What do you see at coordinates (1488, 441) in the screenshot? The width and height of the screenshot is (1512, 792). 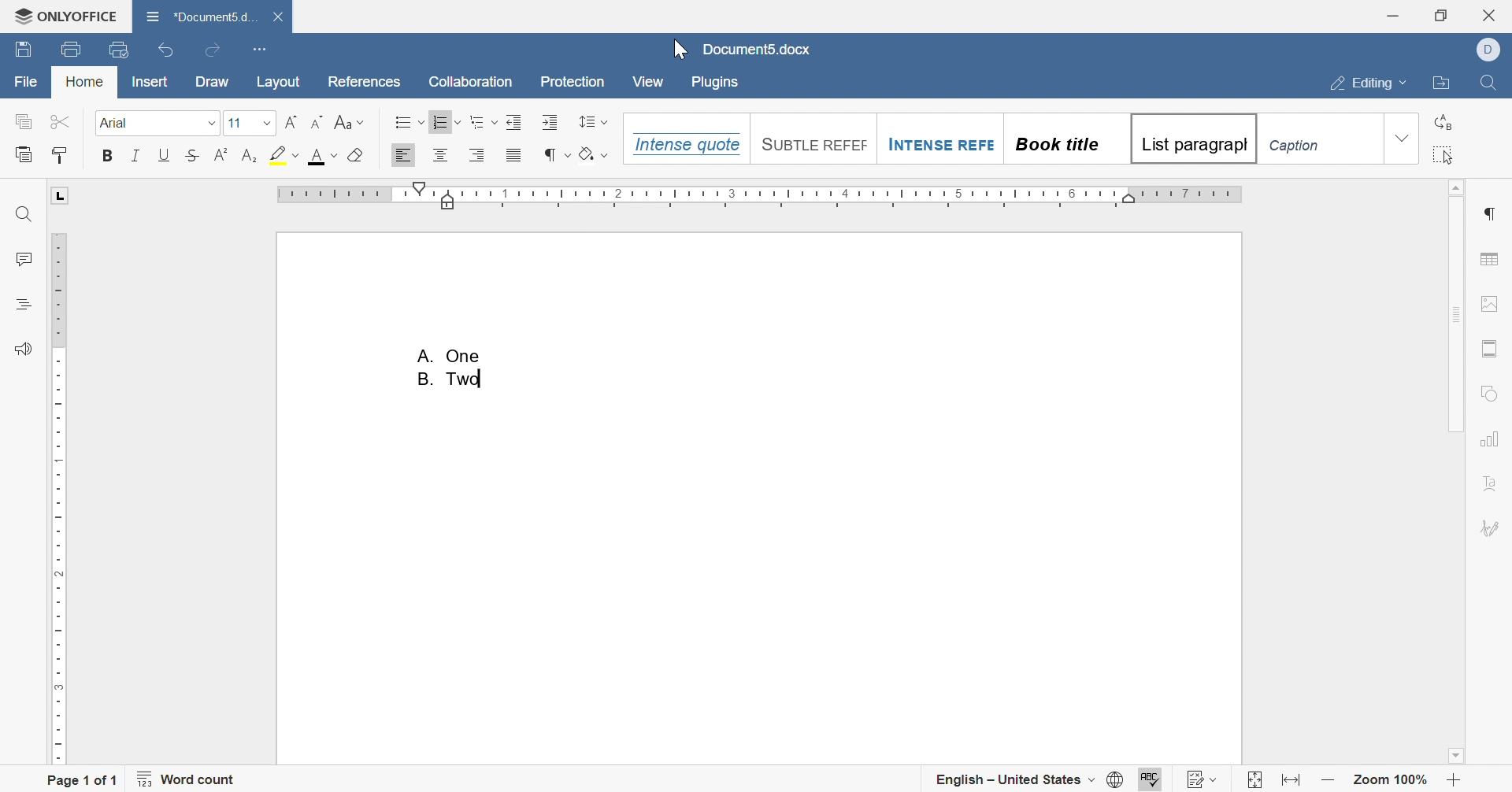 I see `chart settings` at bounding box center [1488, 441].